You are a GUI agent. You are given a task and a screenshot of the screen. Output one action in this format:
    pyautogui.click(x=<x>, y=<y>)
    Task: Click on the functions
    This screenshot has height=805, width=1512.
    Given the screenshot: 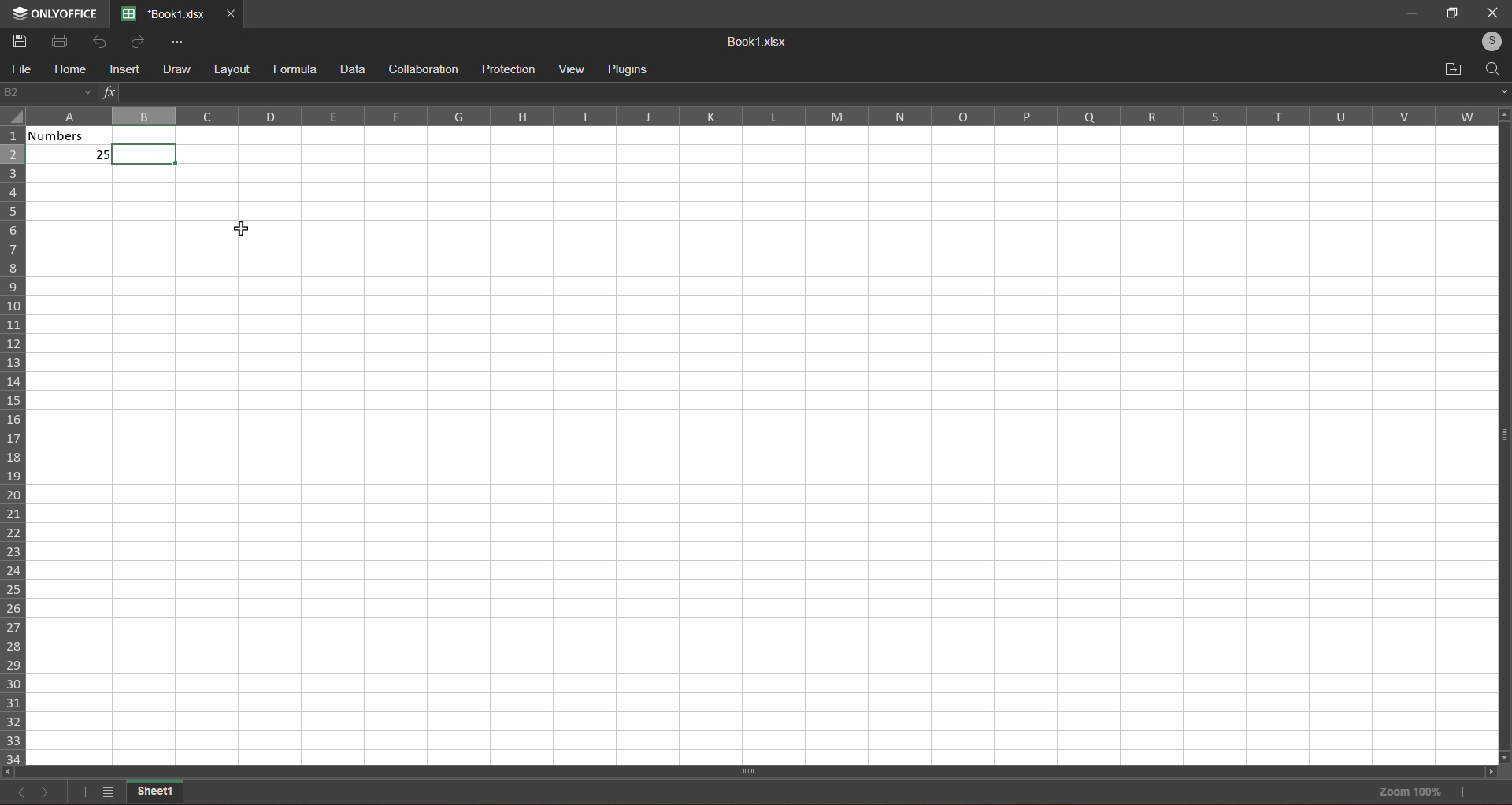 What is the action you would take?
    pyautogui.click(x=108, y=91)
    